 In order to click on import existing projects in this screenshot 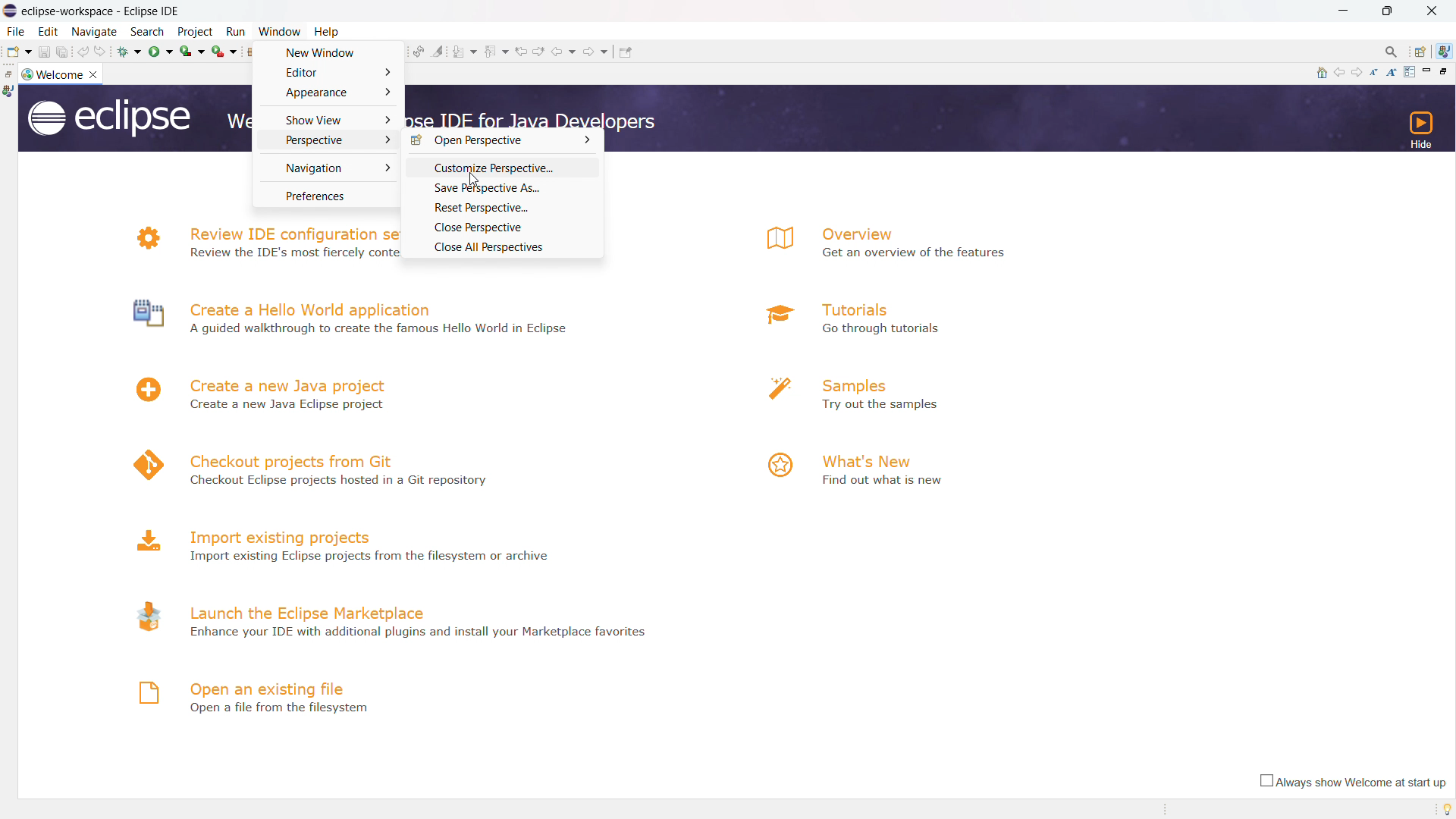, I will do `click(290, 535)`.